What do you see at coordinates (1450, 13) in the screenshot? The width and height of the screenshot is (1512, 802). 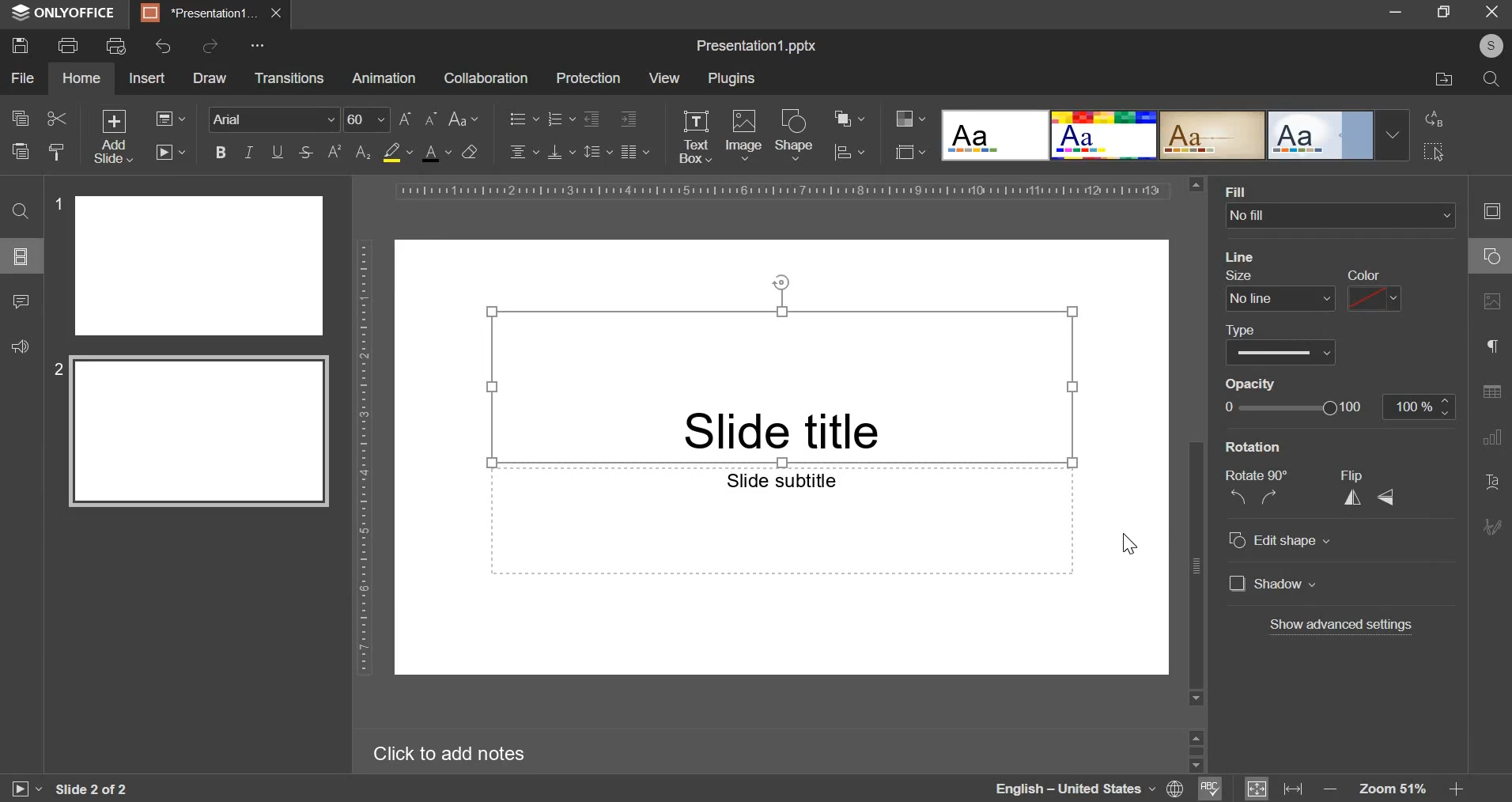 I see `full screen` at bounding box center [1450, 13].